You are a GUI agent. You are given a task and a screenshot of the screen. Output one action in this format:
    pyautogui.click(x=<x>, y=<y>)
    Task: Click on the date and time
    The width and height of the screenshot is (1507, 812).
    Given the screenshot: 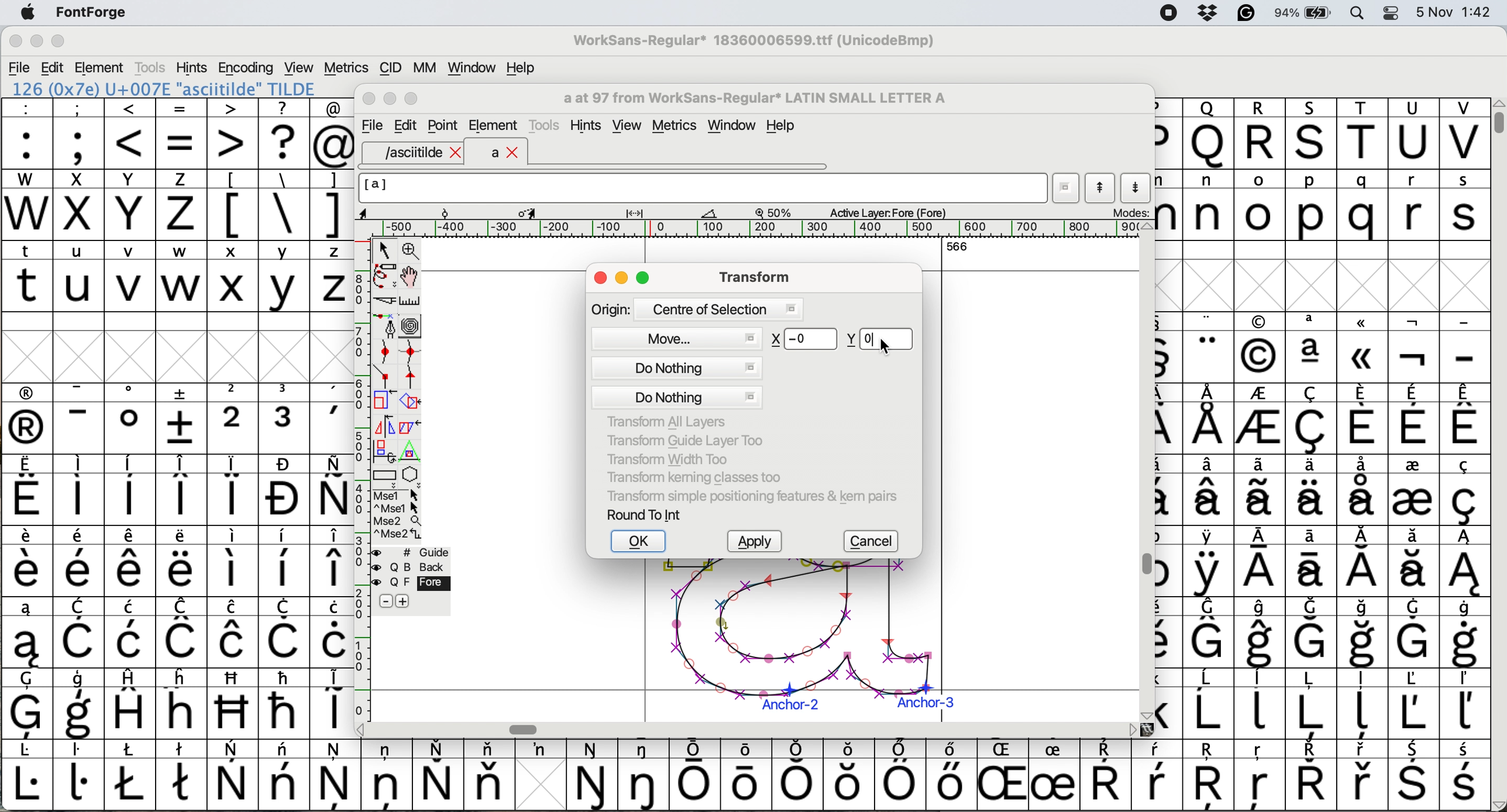 What is the action you would take?
    pyautogui.click(x=1454, y=11)
    